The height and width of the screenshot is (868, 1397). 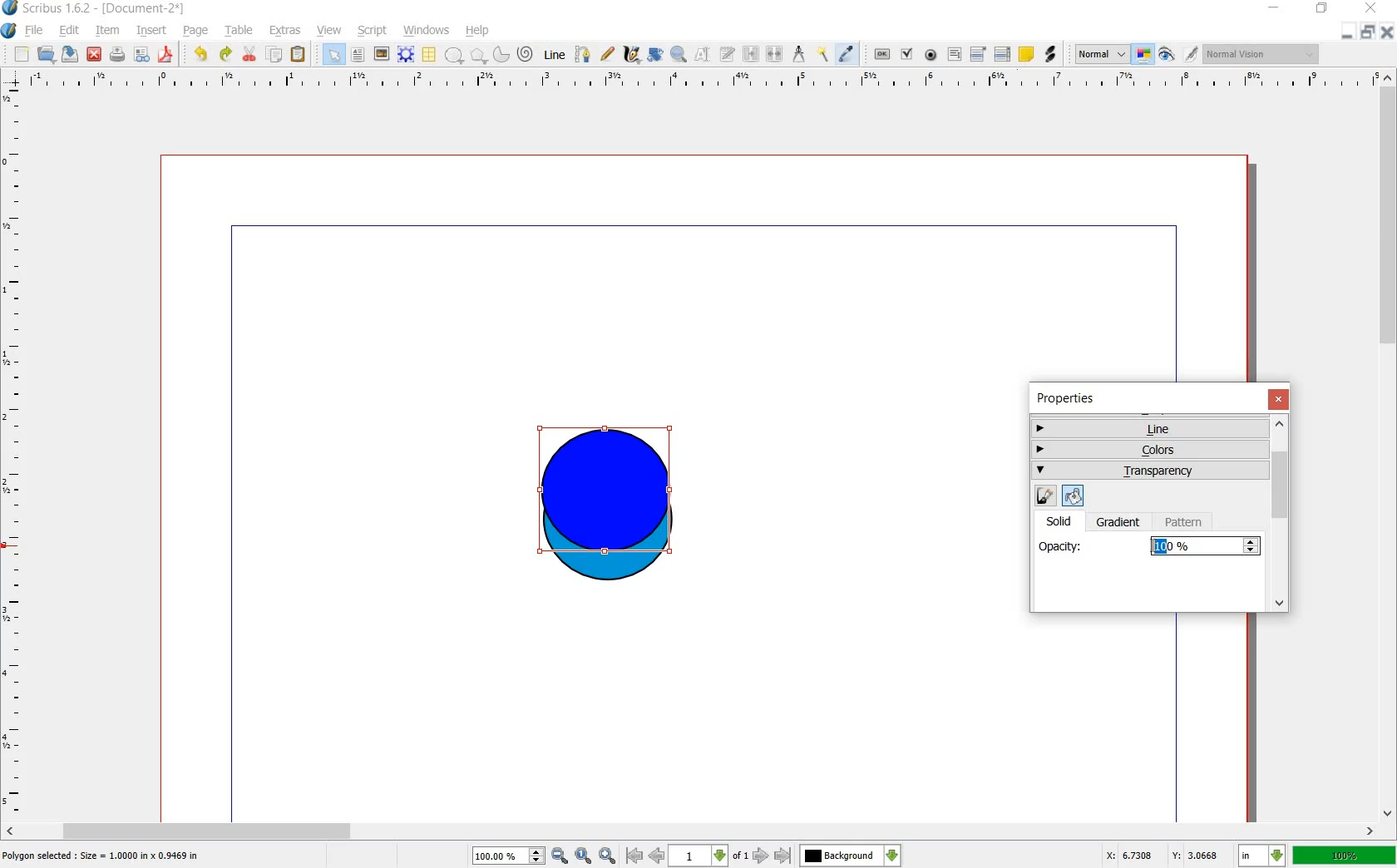 I want to click on line, so click(x=553, y=56).